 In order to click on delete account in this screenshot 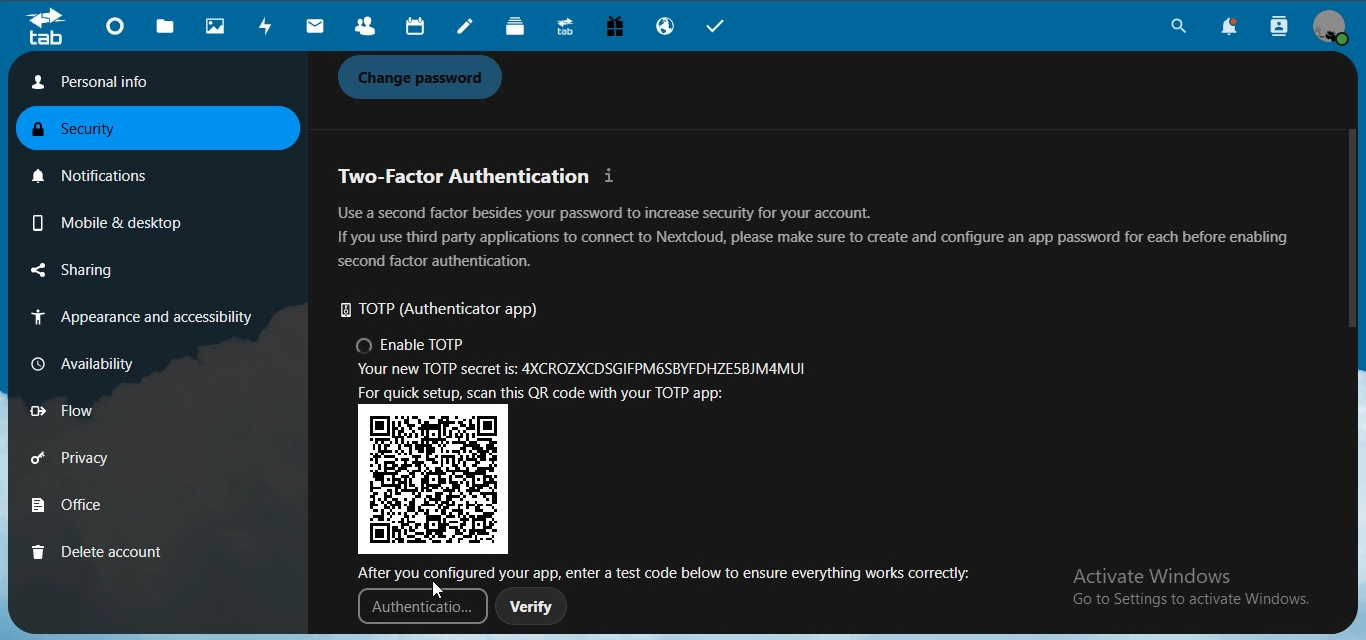, I will do `click(98, 551)`.